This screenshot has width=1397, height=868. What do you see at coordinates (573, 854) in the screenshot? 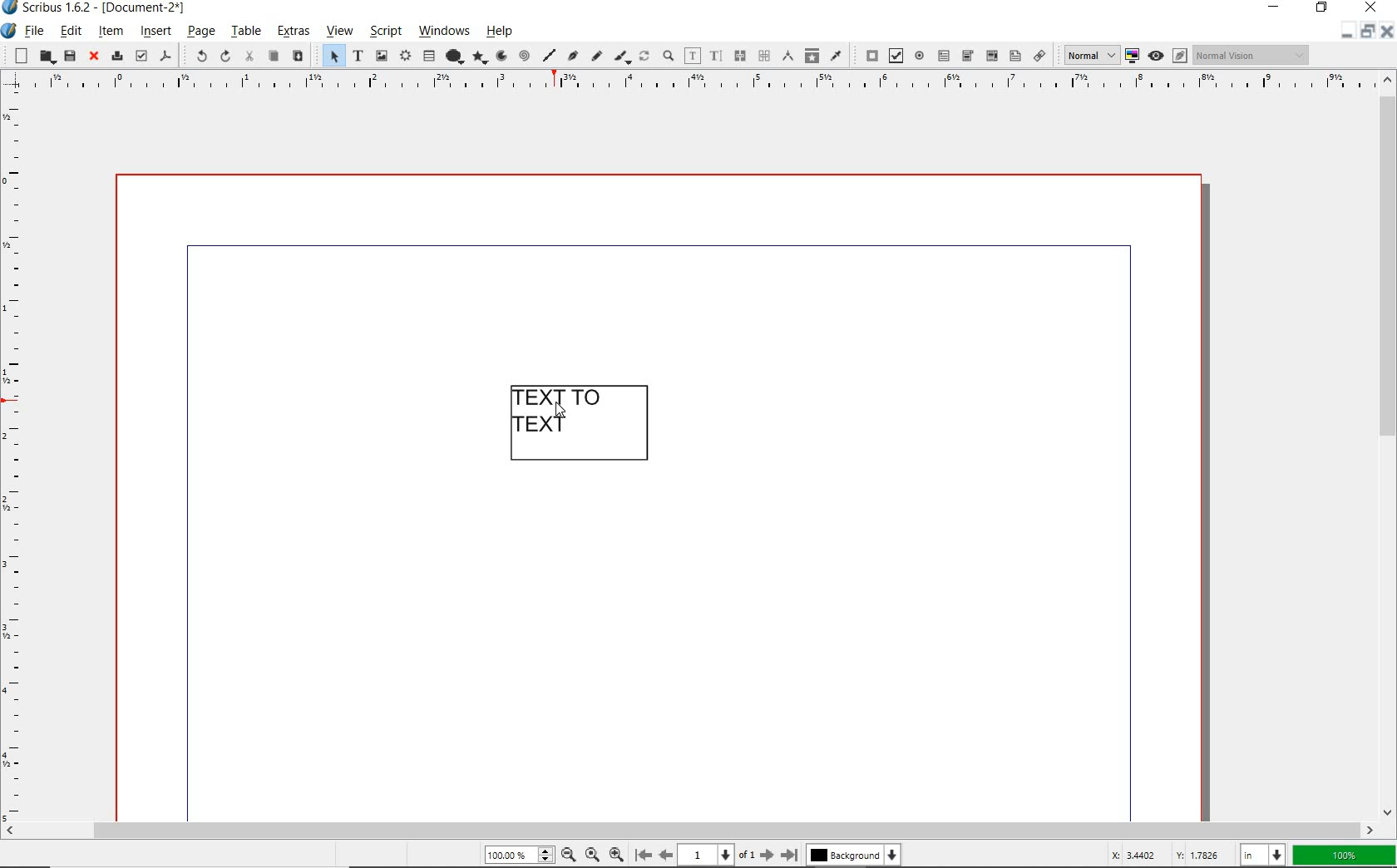
I see `zoom out` at bounding box center [573, 854].